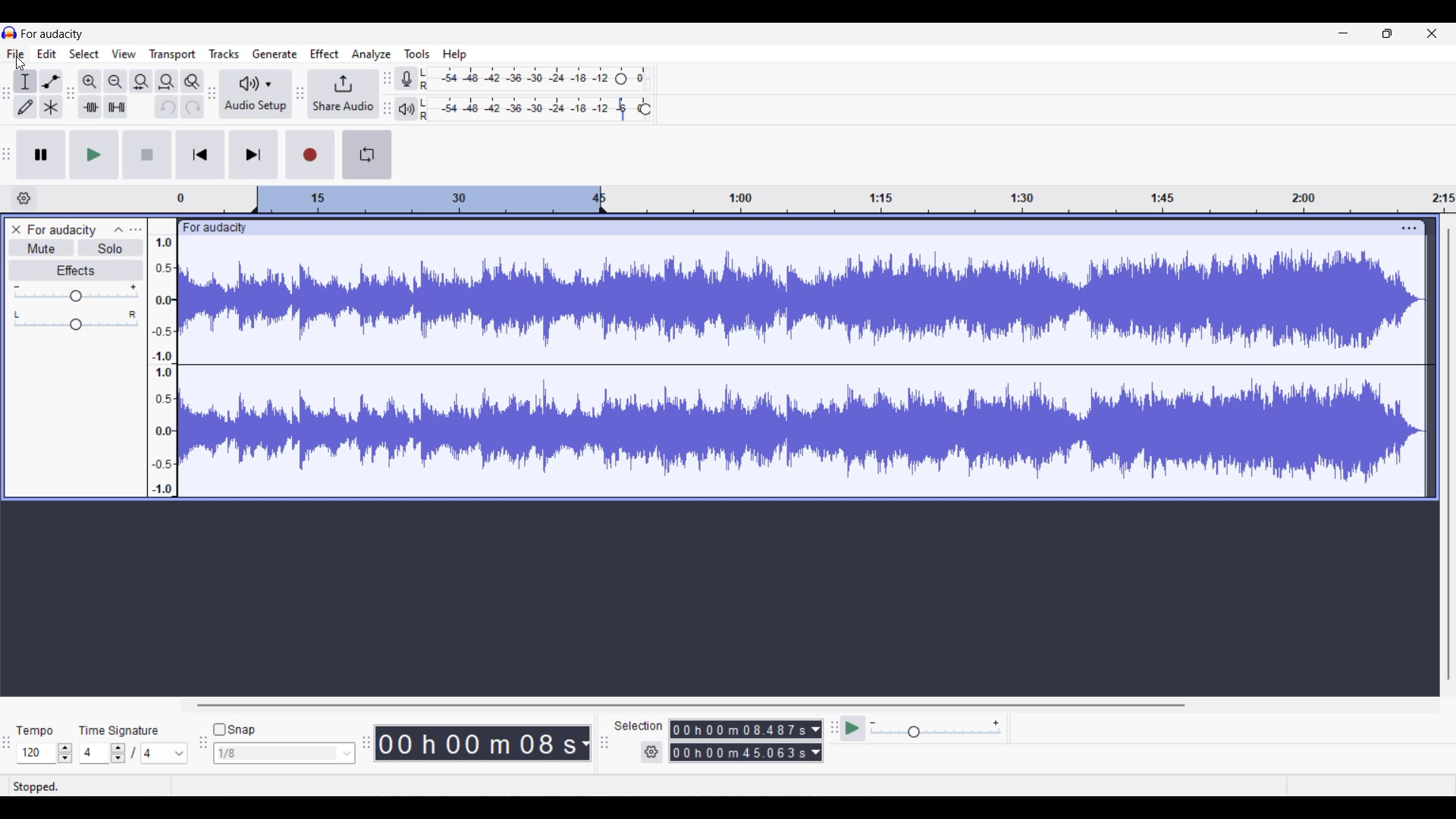 This screenshot has width=1456, height=819. What do you see at coordinates (117, 107) in the screenshot?
I see `Silence audio selection` at bounding box center [117, 107].